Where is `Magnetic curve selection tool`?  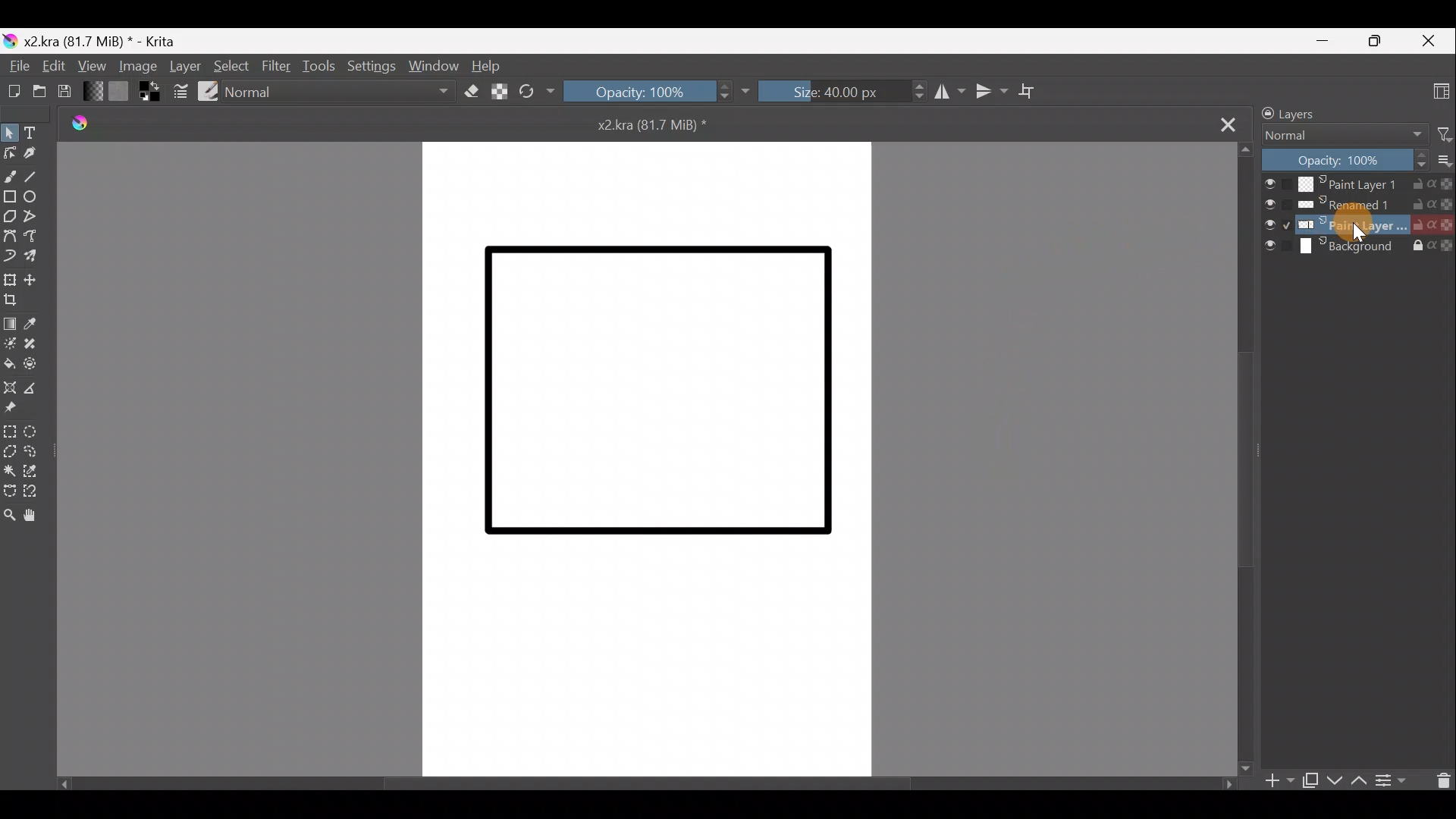
Magnetic curve selection tool is located at coordinates (35, 491).